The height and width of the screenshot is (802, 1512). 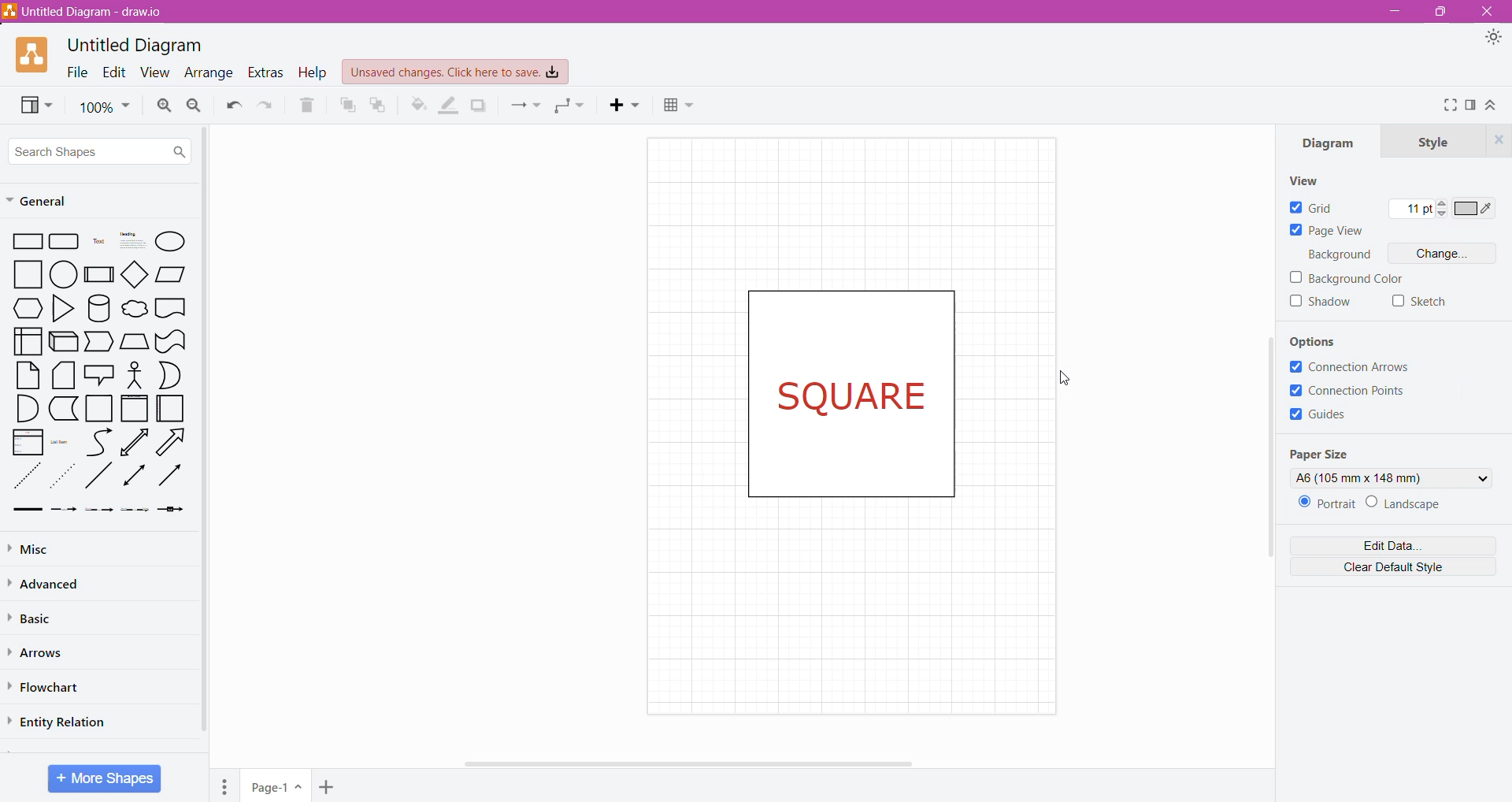 I want to click on Add Pages, so click(x=328, y=788).